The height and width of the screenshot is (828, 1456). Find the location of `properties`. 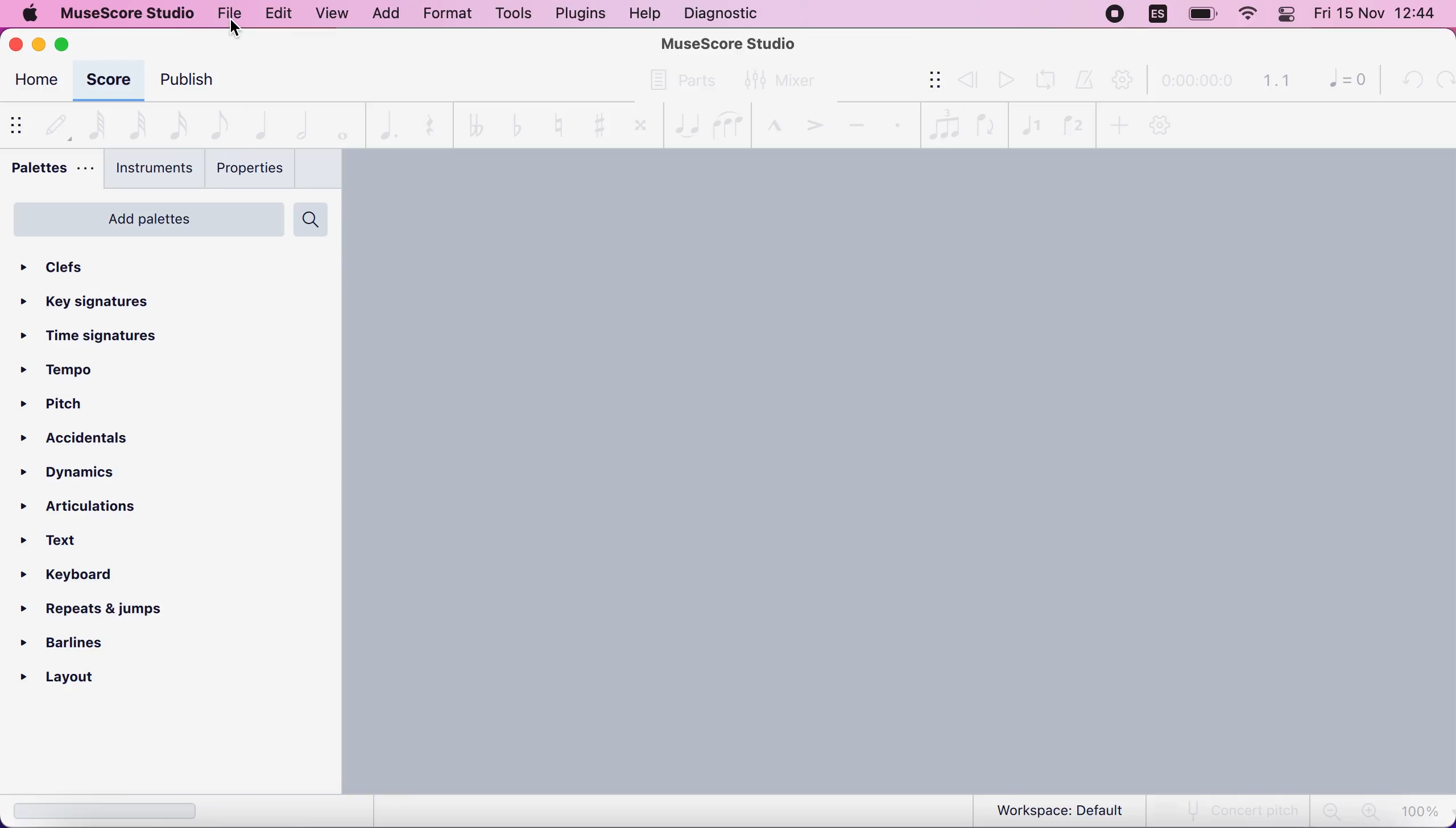

properties is located at coordinates (249, 169).